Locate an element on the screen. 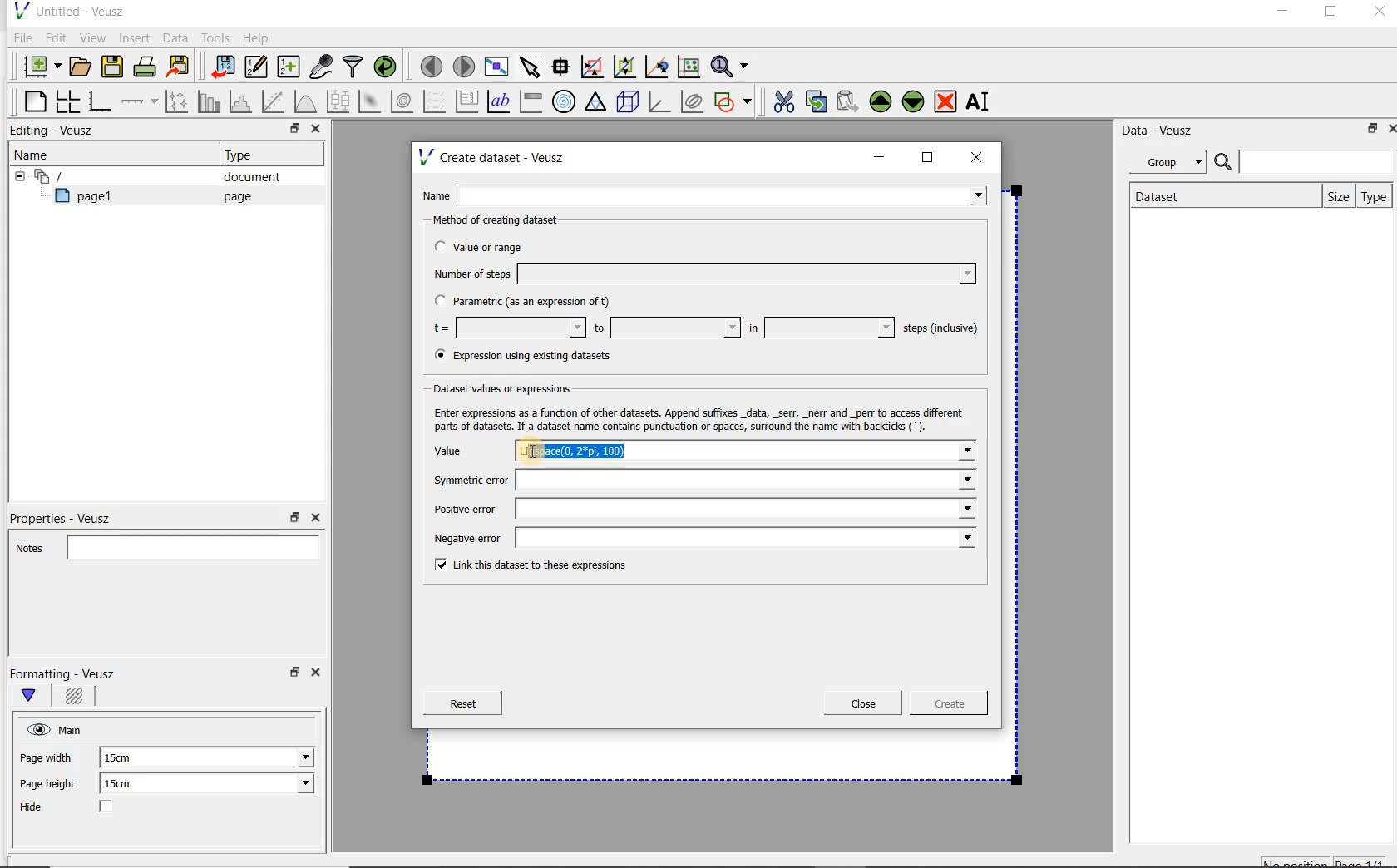 The width and height of the screenshot is (1397, 868). restore down is located at coordinates (290, 131).